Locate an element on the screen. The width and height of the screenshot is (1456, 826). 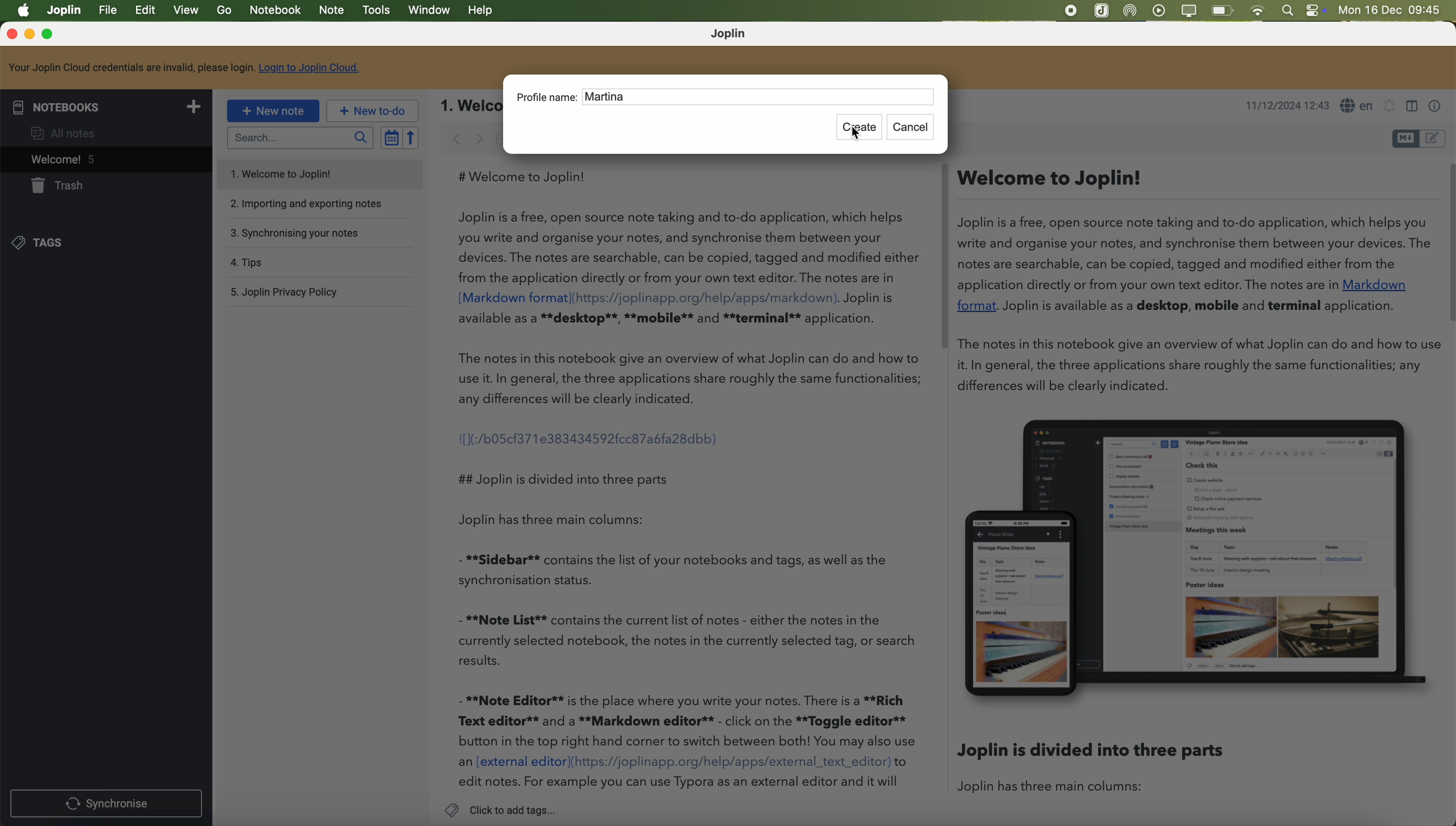
I[1(:/b05cf371e383434592fcc87a6fa28dbb) is located at coordinates (590, 437).